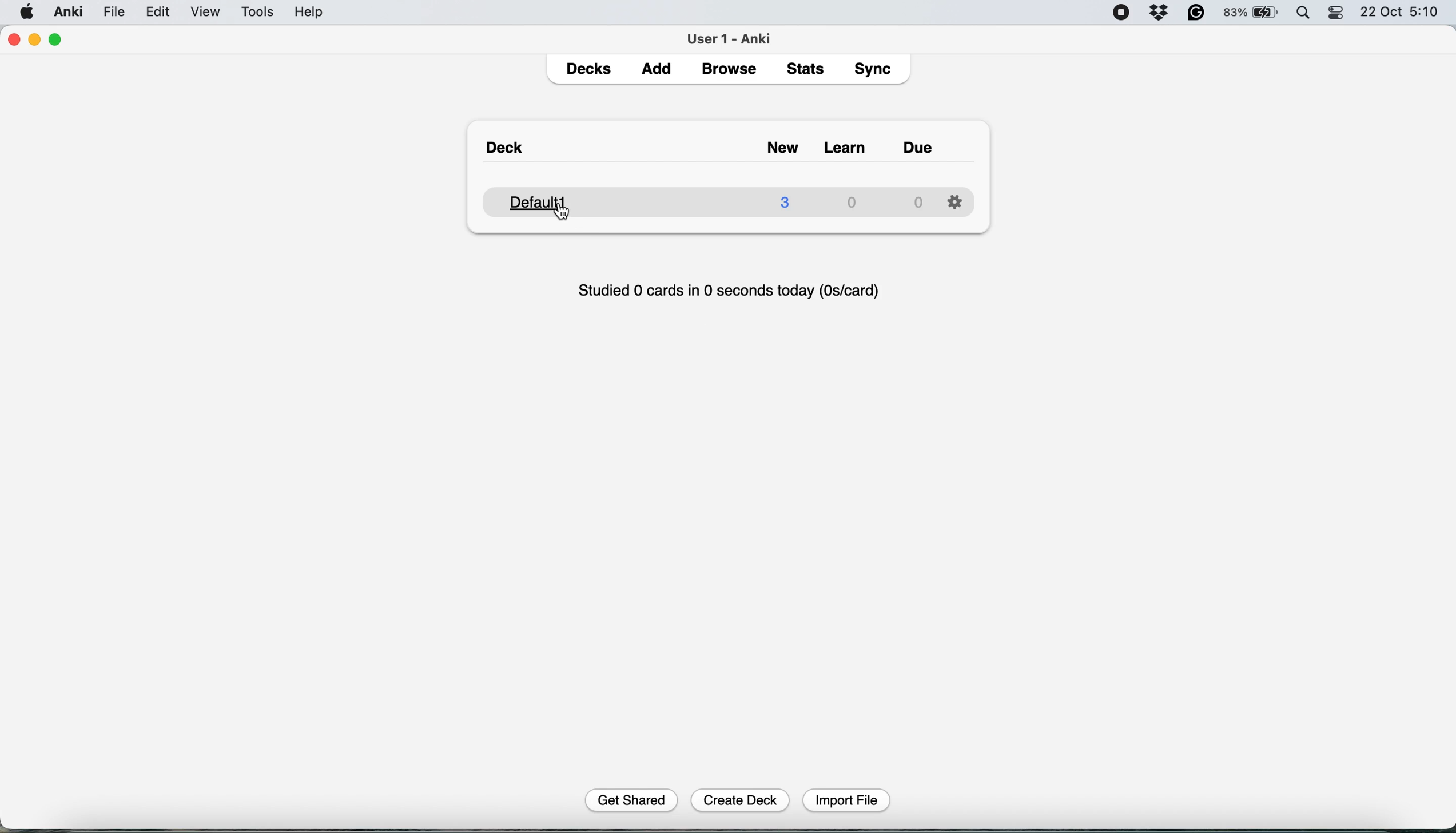 The image size is (1456, 833). Describe the element at coordinates (1121, 14) in the screenshot. I see `screen recorder` at that location.